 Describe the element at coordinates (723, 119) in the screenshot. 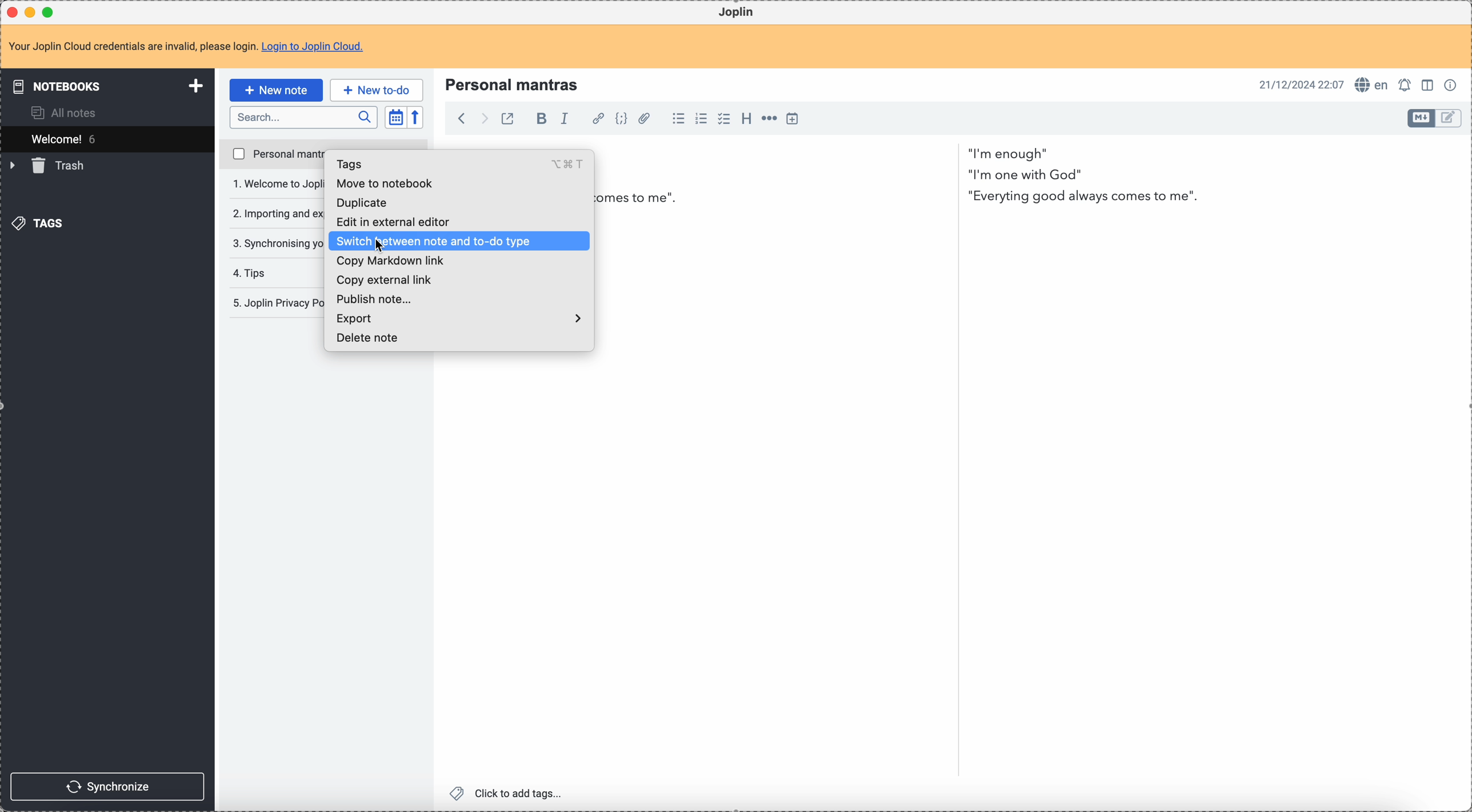

I see `checkbox` at that location.